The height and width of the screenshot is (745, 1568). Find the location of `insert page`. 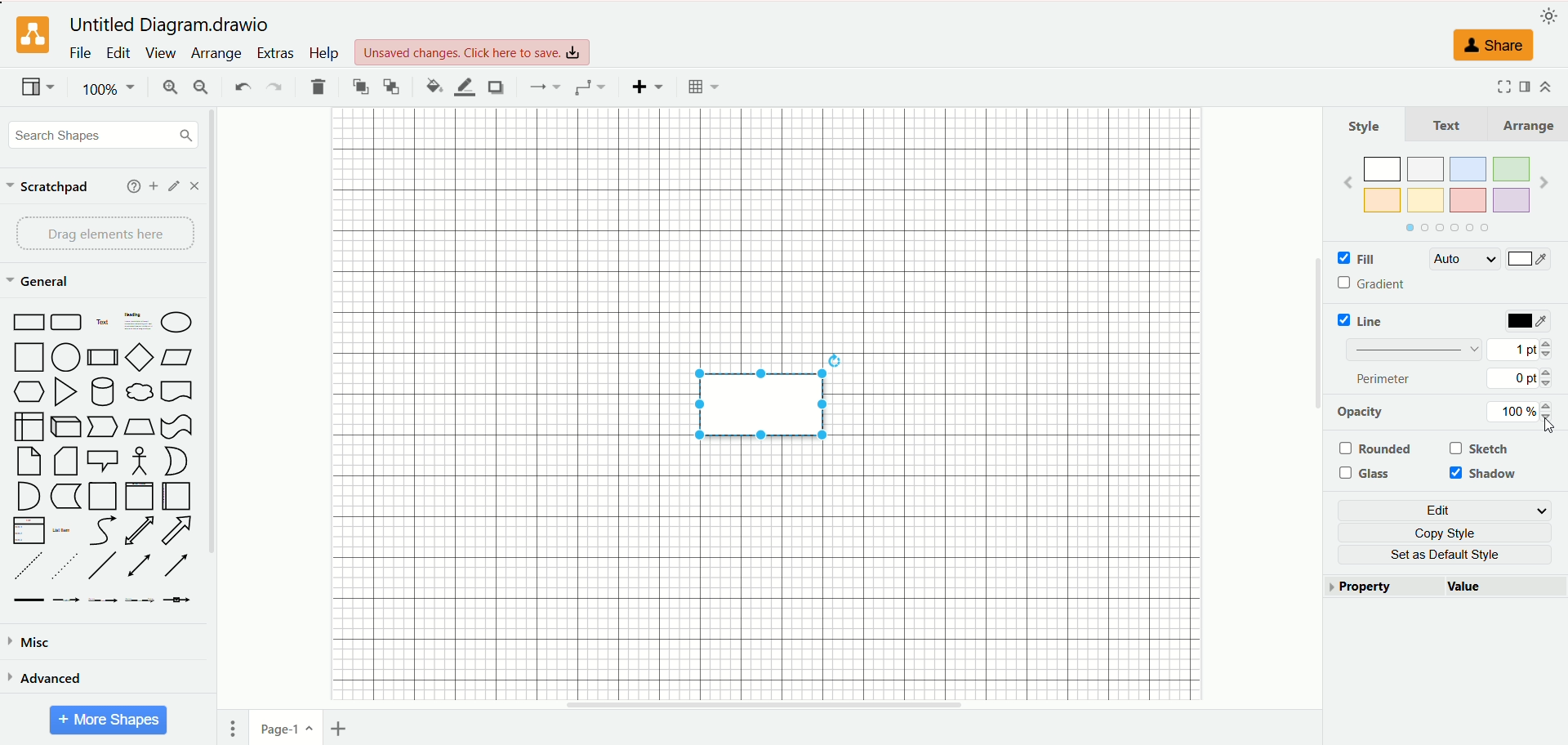

insert page is located at coordinates (342, 729).